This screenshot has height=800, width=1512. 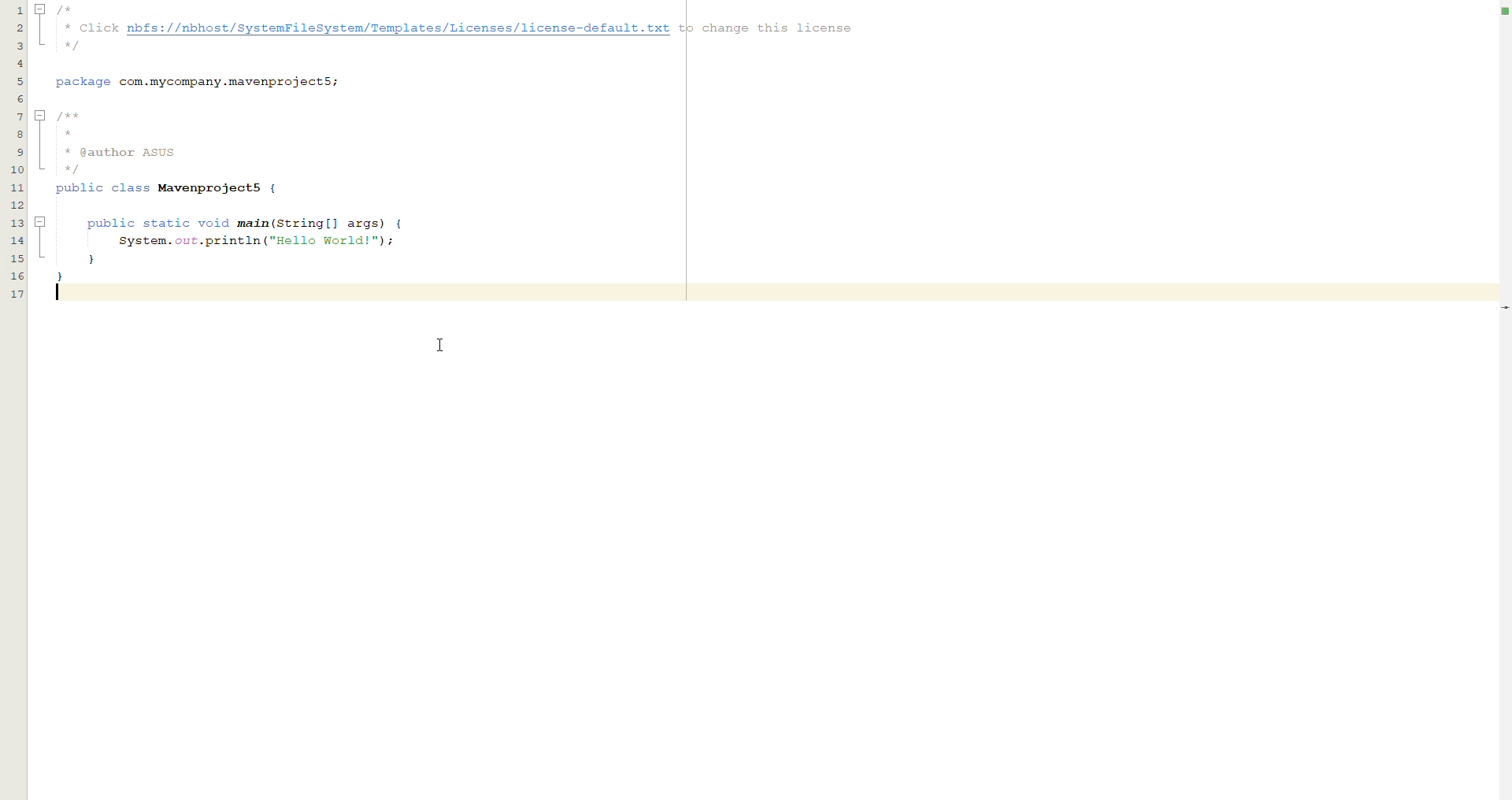 What do you see at coordinates (447, 26) in the screenshot?
I see `/** Click nbfs://nbhost/SystemFileSystem/Templates/Licenses/license-default.txt tp change this license. */` at bounding box center [447, 26].